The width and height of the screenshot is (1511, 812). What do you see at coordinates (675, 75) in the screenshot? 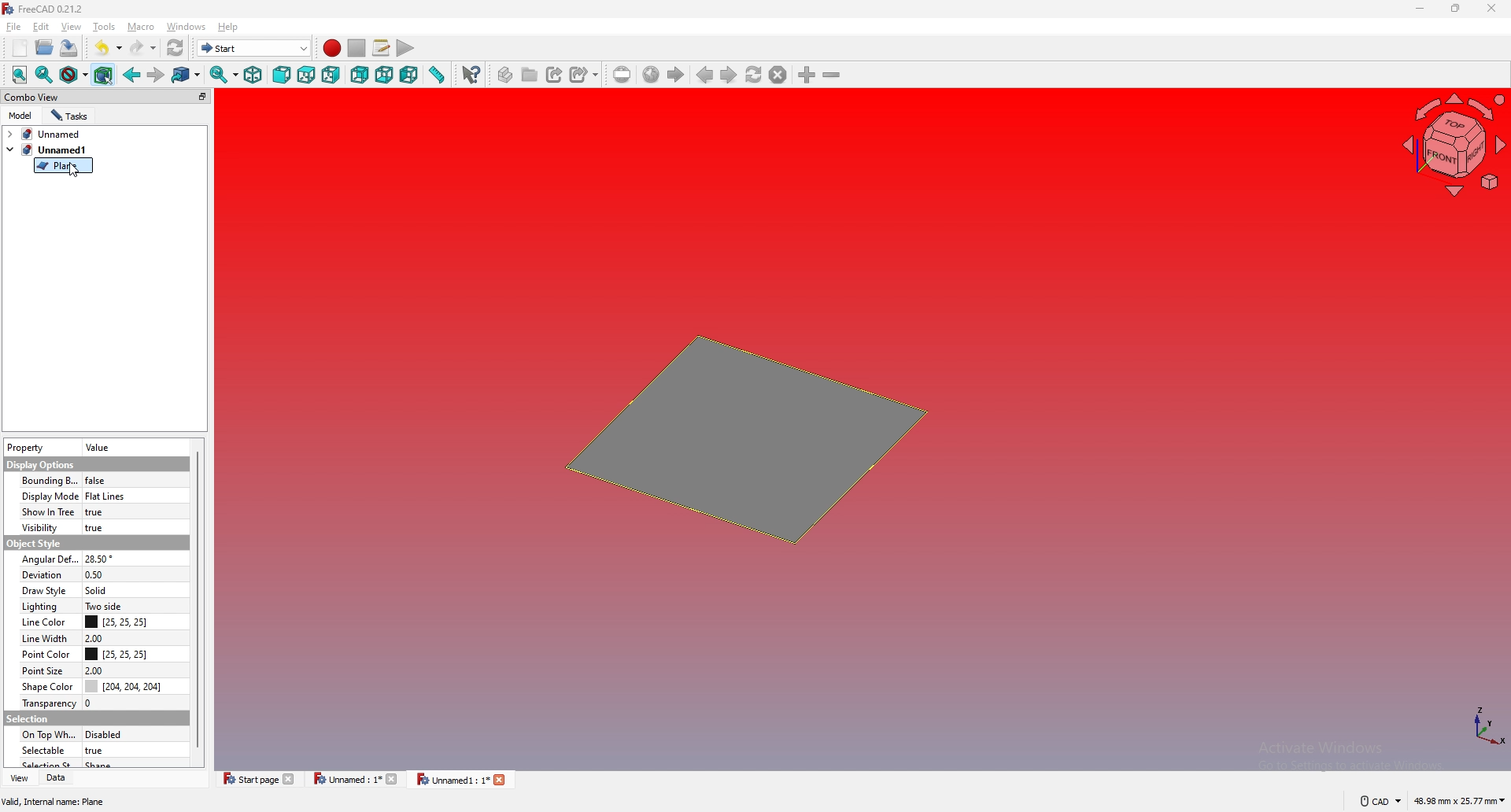
I see `start page` at bounding box center [675, 75].